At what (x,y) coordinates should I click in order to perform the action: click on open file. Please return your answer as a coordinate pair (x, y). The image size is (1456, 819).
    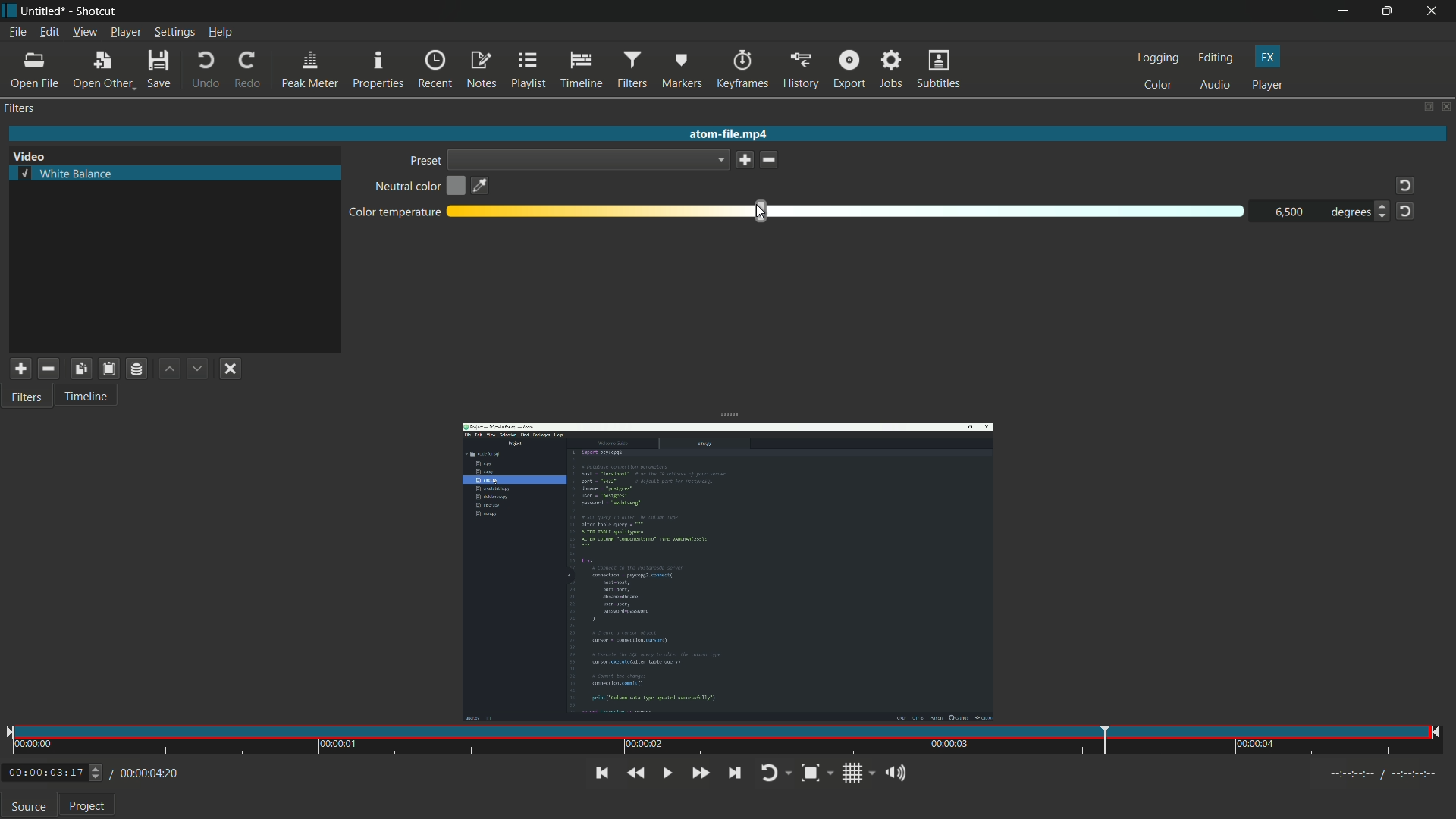
    Looking at the image, I should click on (36, 70).